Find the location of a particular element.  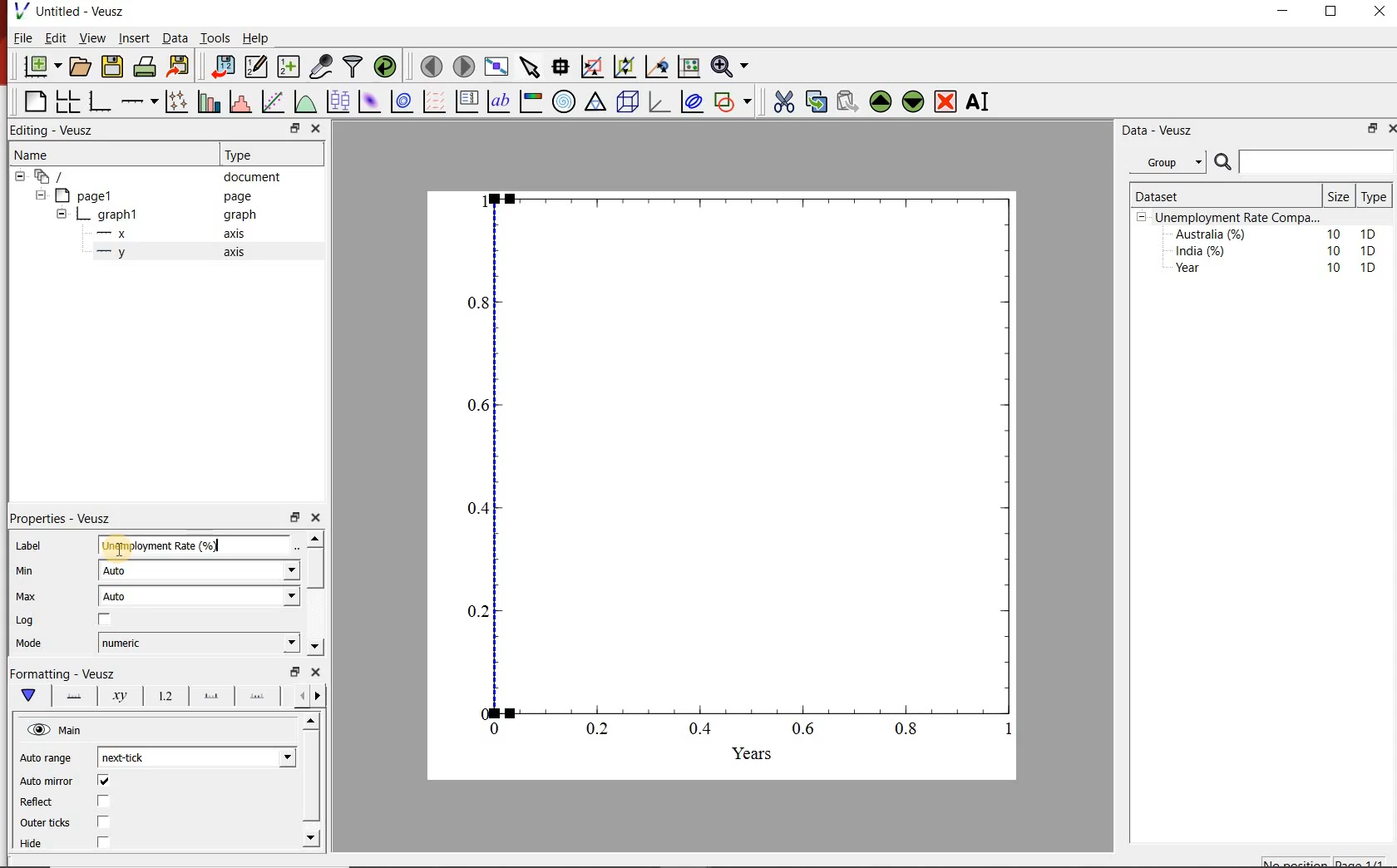

Label is located at coordinates (29, 547).